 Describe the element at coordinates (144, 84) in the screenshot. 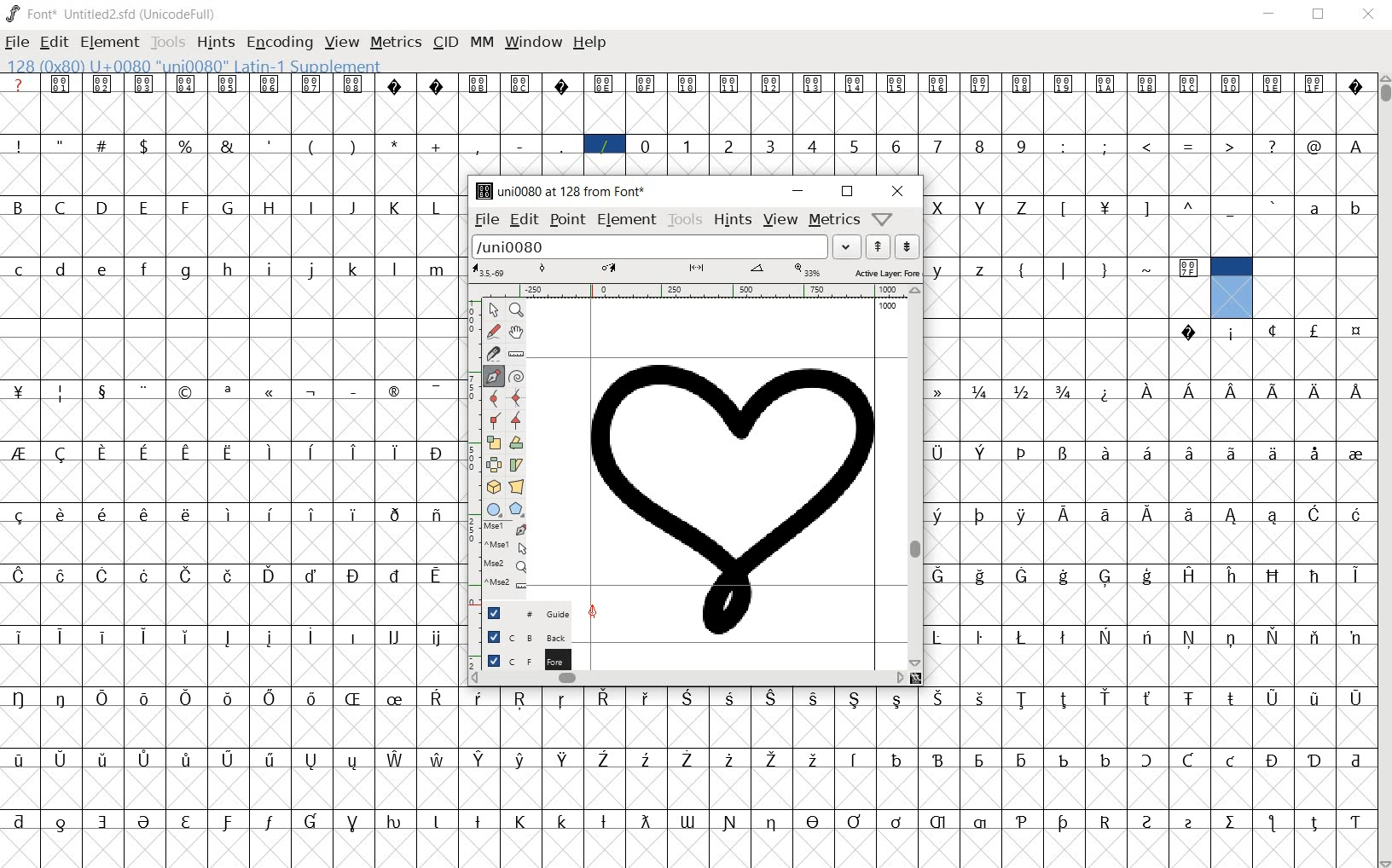

I see `glyph` at that location.